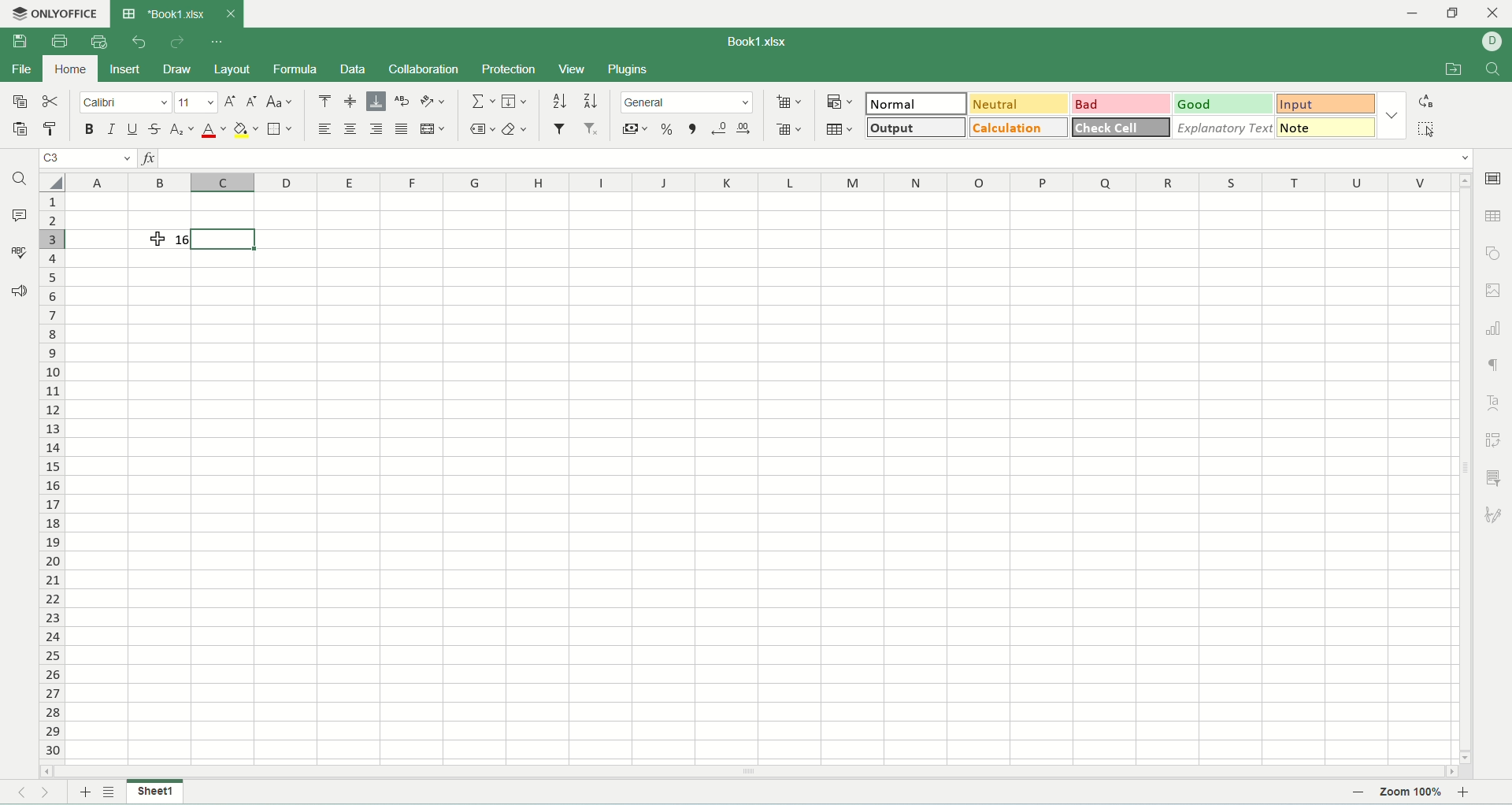  What do you see at coordinates (182, 131) in the screenshot?
I see `subscript` at bounding box center [182, 131].